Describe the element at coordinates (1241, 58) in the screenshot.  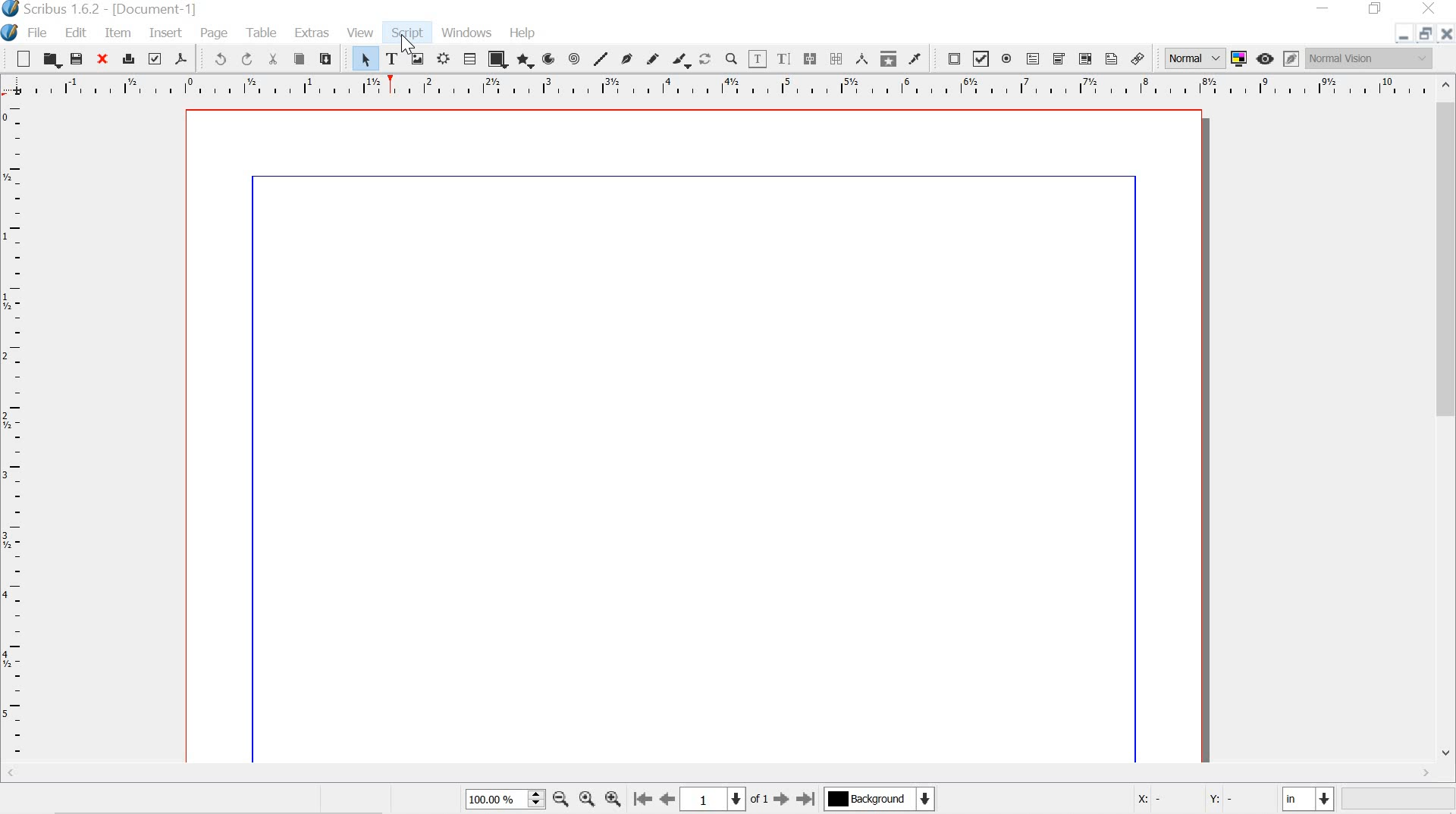
I see `toggle color management system` at that location.